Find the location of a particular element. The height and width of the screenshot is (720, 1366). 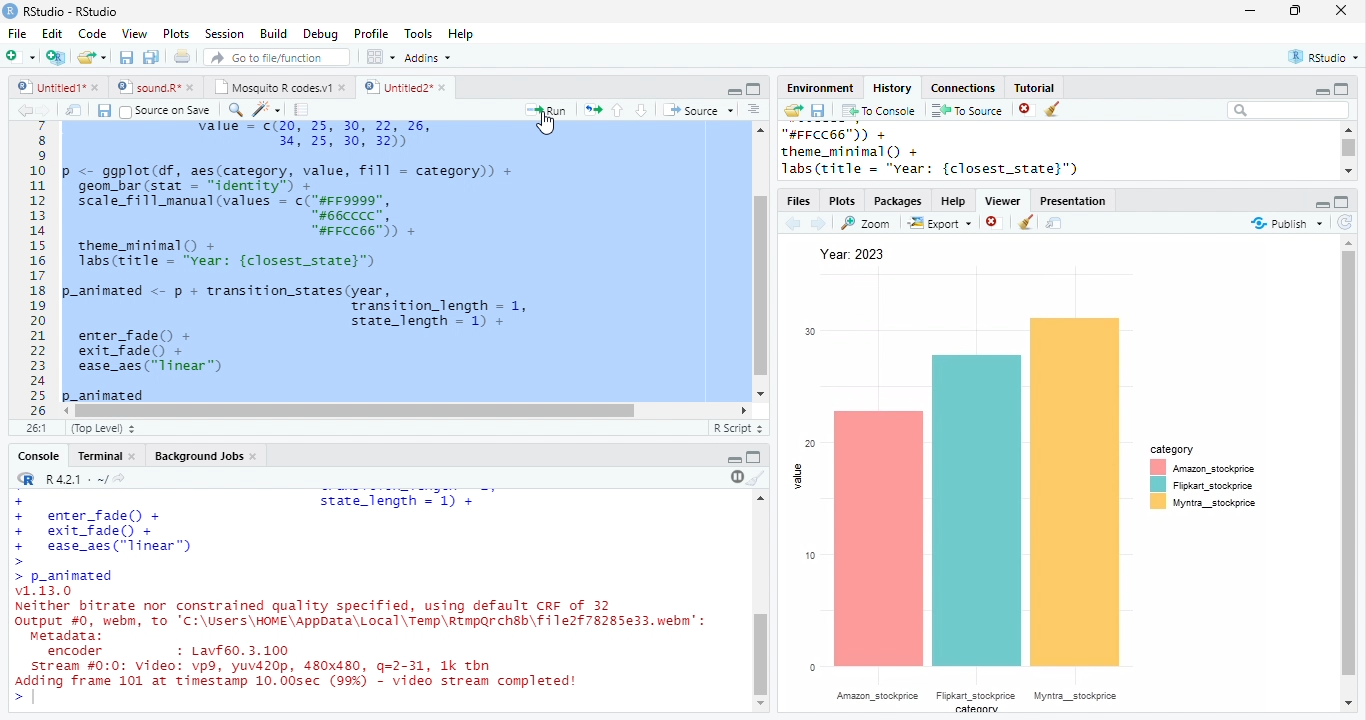

pause is located at coordinates (735, 478).